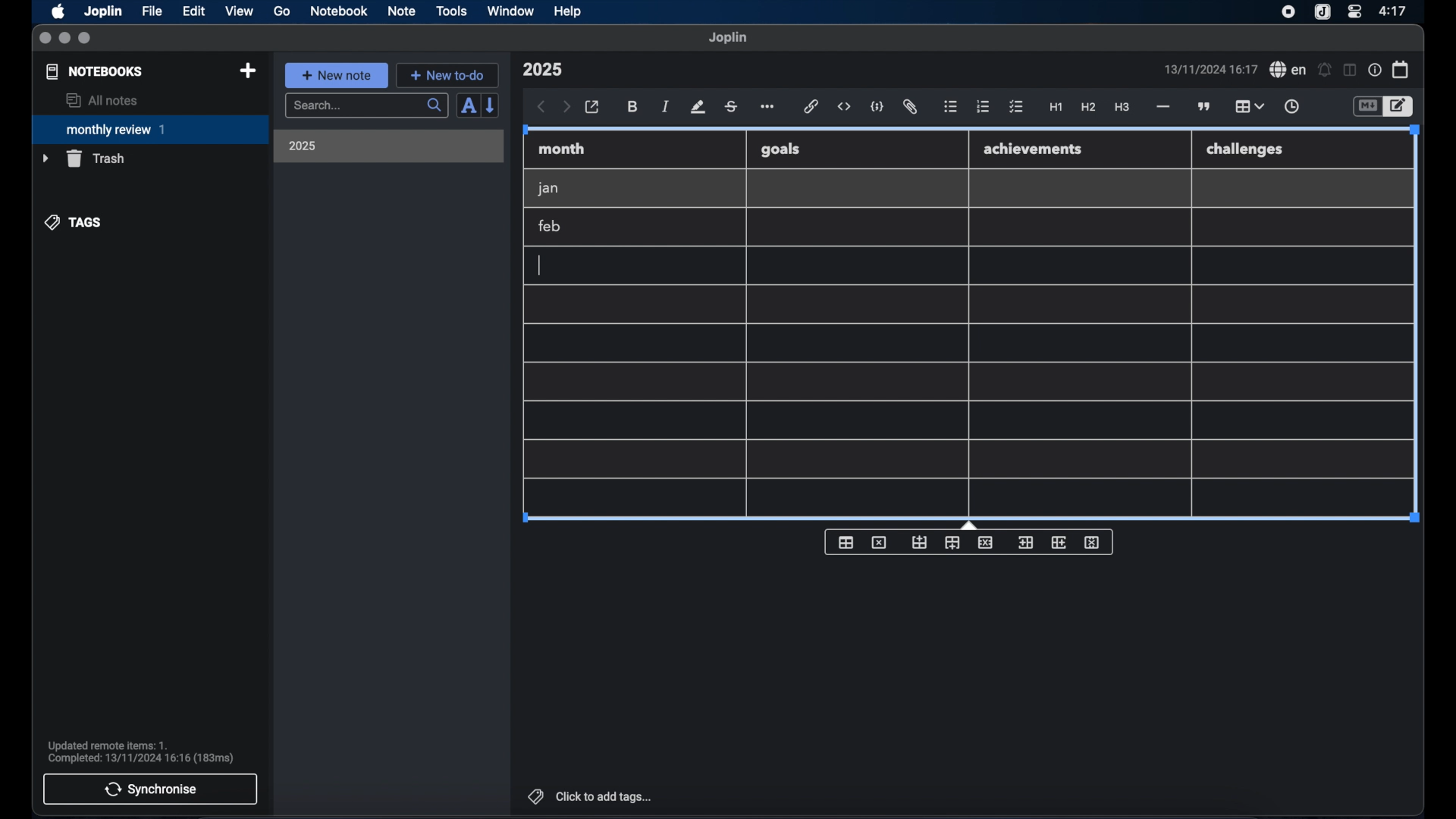 The height and width of the screenshot is (819, 1456). Describe the element at coordinates (339, 11) in the screenshot. I see `notebook` at that location.